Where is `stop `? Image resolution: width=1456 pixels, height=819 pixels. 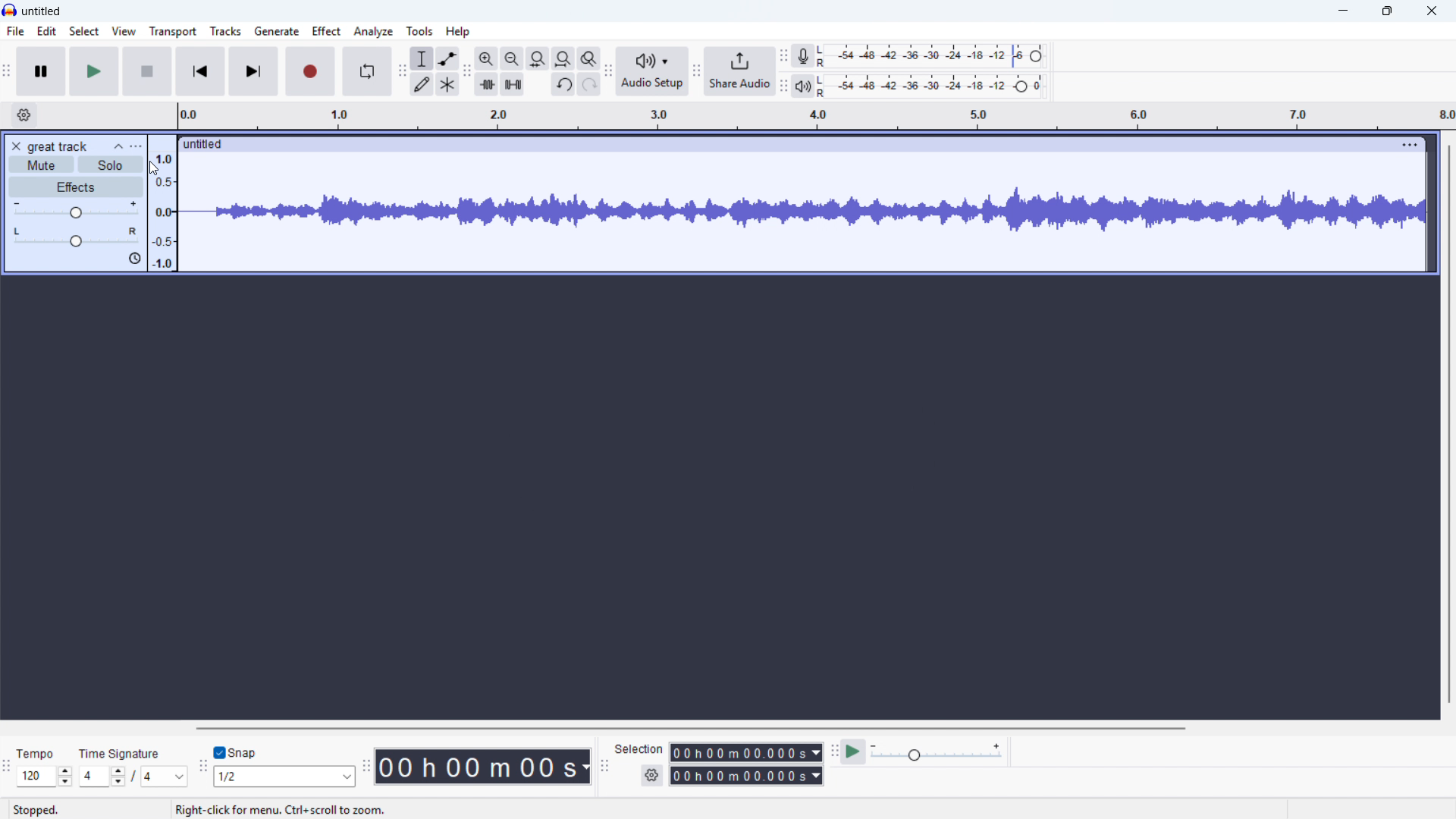
stop  is located at coordinates (147, 72).